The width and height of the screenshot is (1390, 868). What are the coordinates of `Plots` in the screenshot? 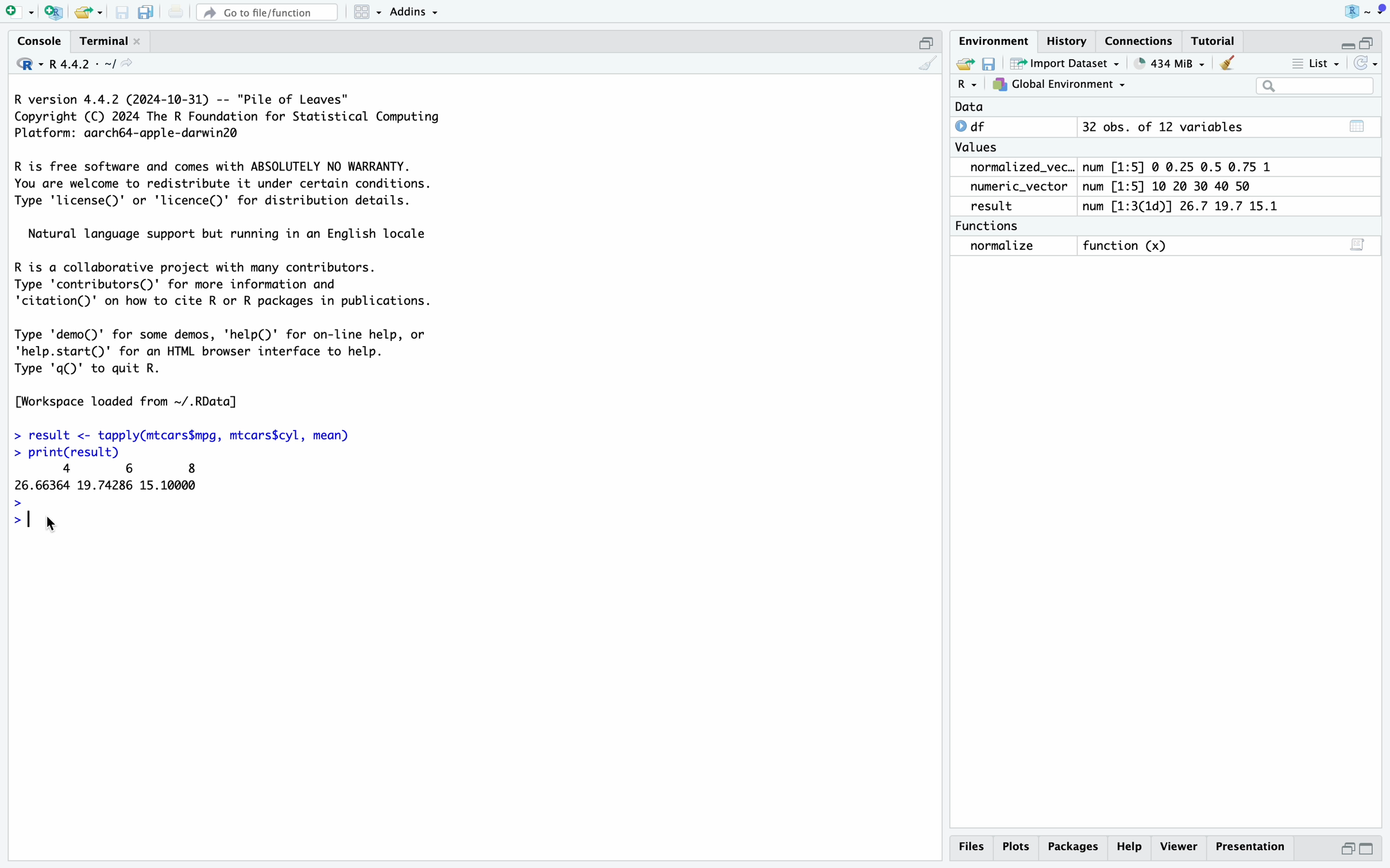 It's located at (1016, 847).